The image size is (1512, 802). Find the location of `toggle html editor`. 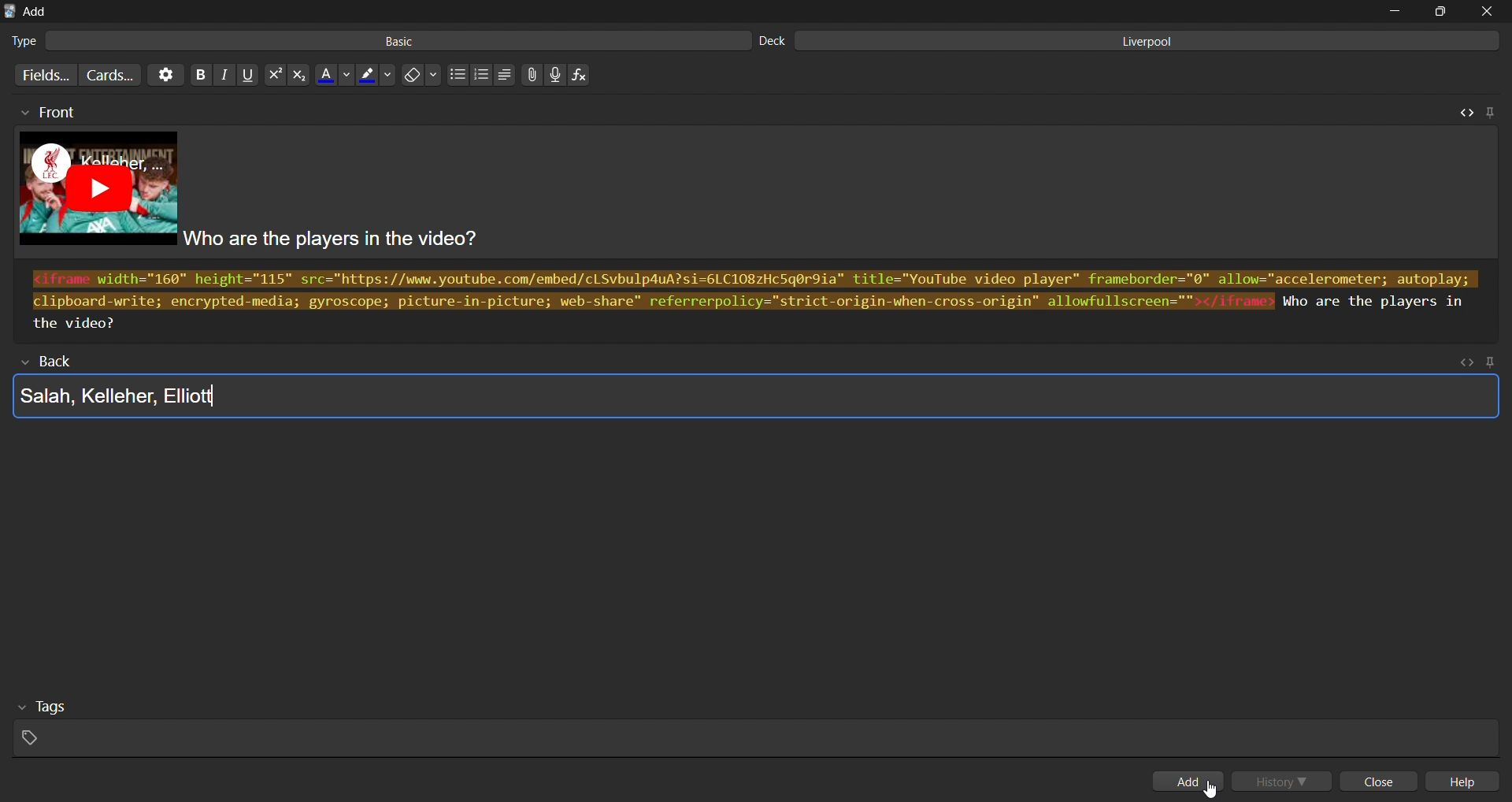

toggle html editor is located at coordinates (1466, 362).